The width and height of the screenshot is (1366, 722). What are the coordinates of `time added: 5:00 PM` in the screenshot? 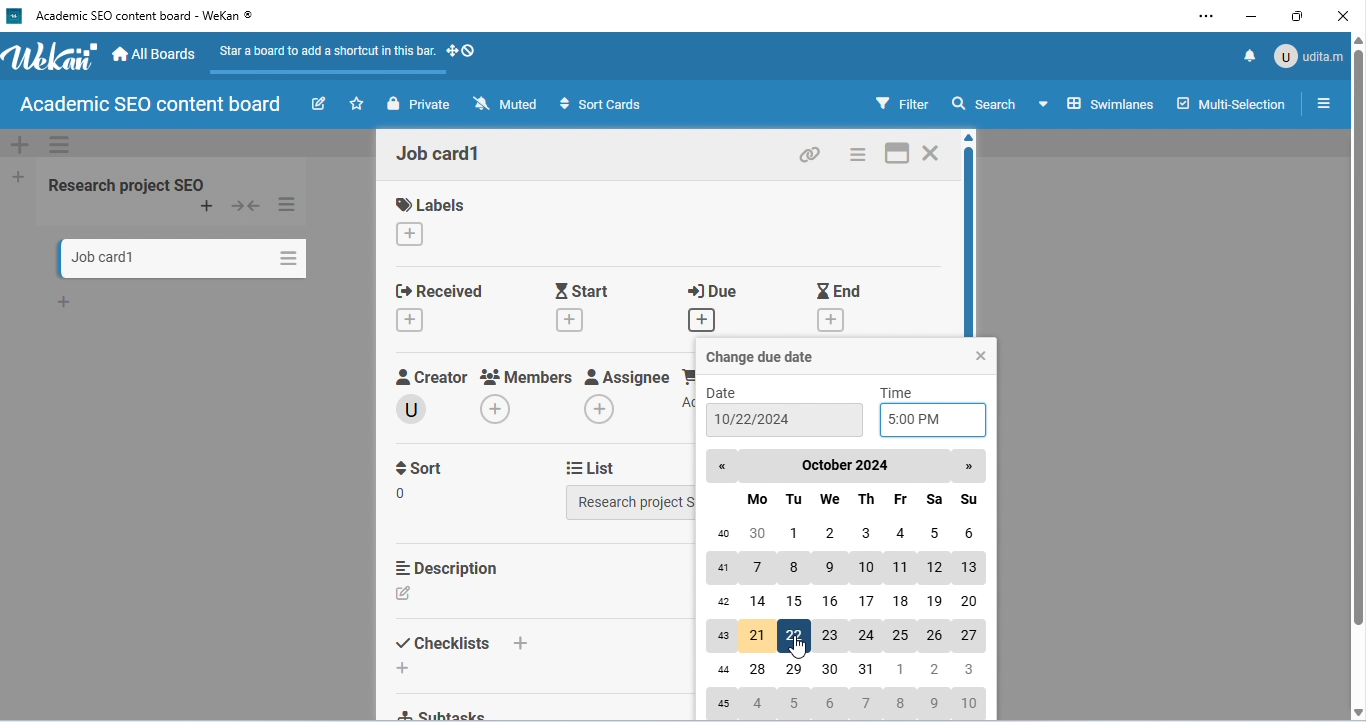 It's located at (932, 421).